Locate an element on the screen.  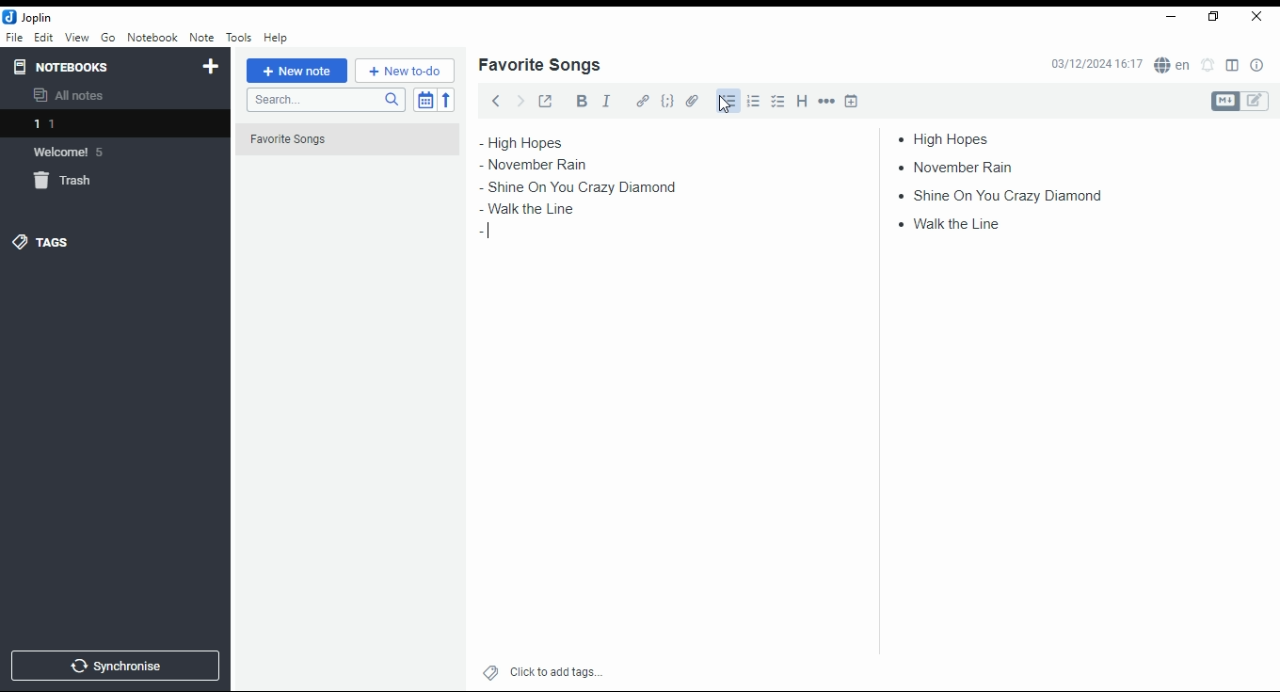
new notebook is located at coordinates (211, 67).